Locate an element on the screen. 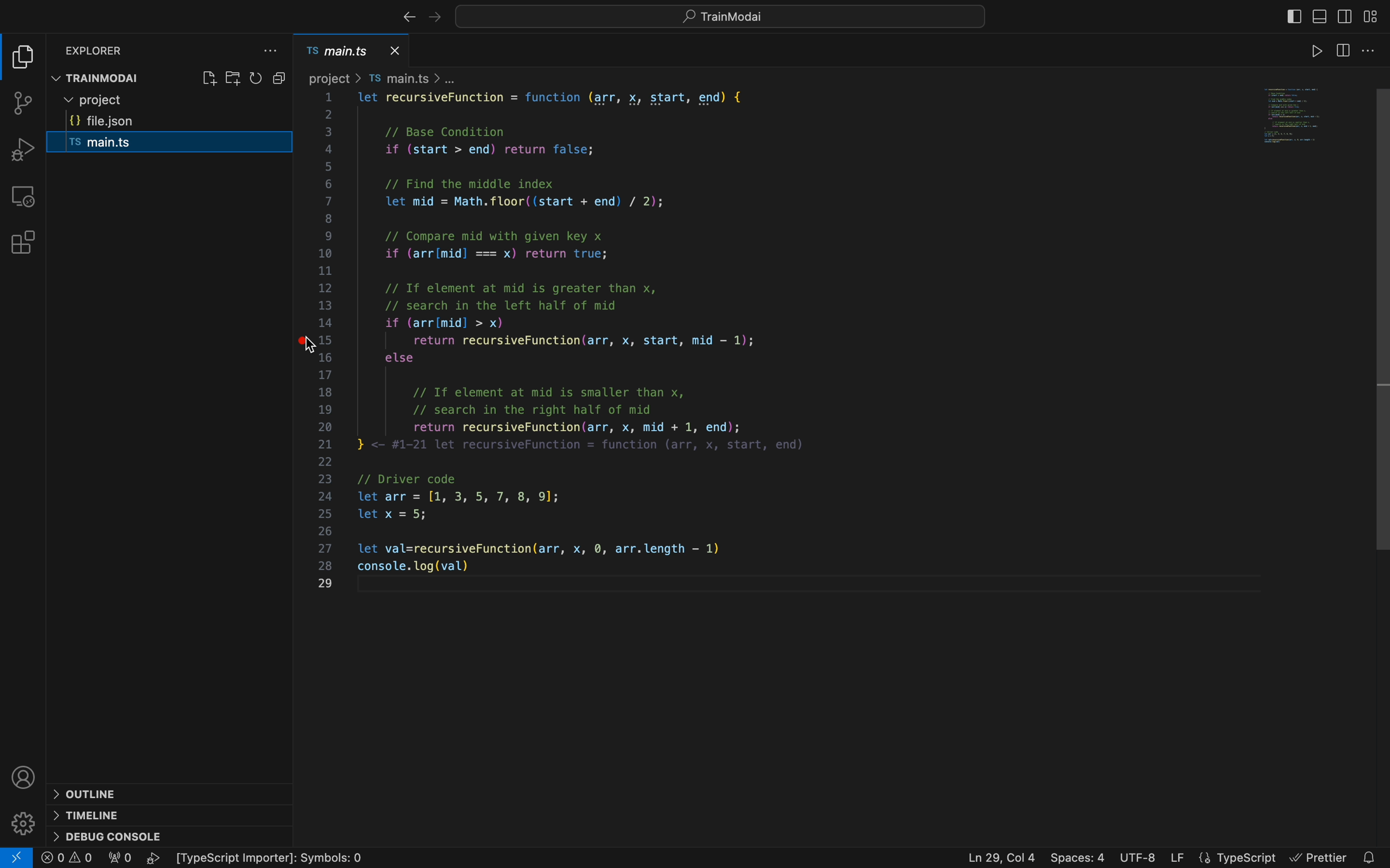  TypeScript is located at coordinates (1240, 853).